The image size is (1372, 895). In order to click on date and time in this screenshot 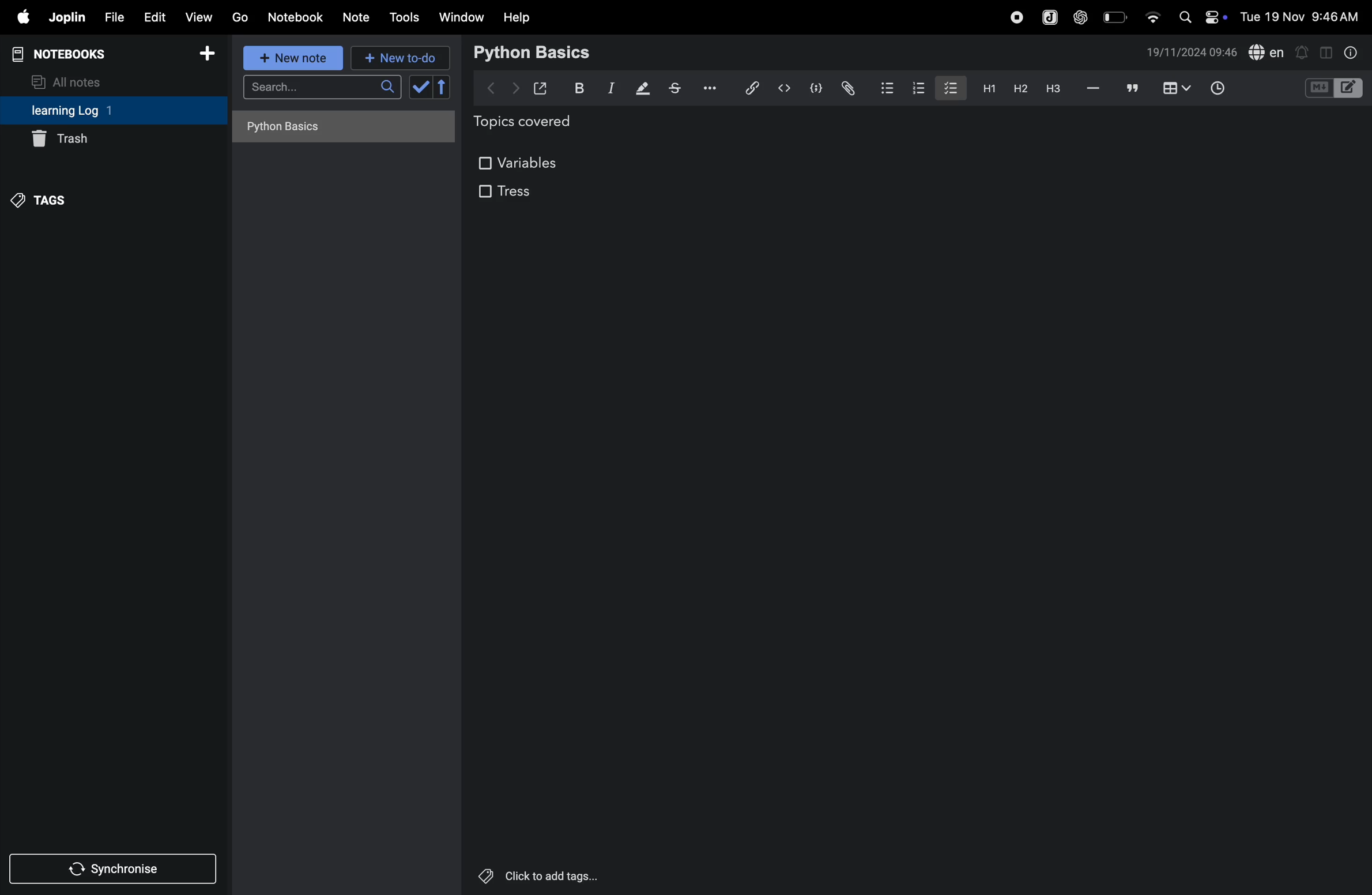, I will do `click(1192, 52)`.